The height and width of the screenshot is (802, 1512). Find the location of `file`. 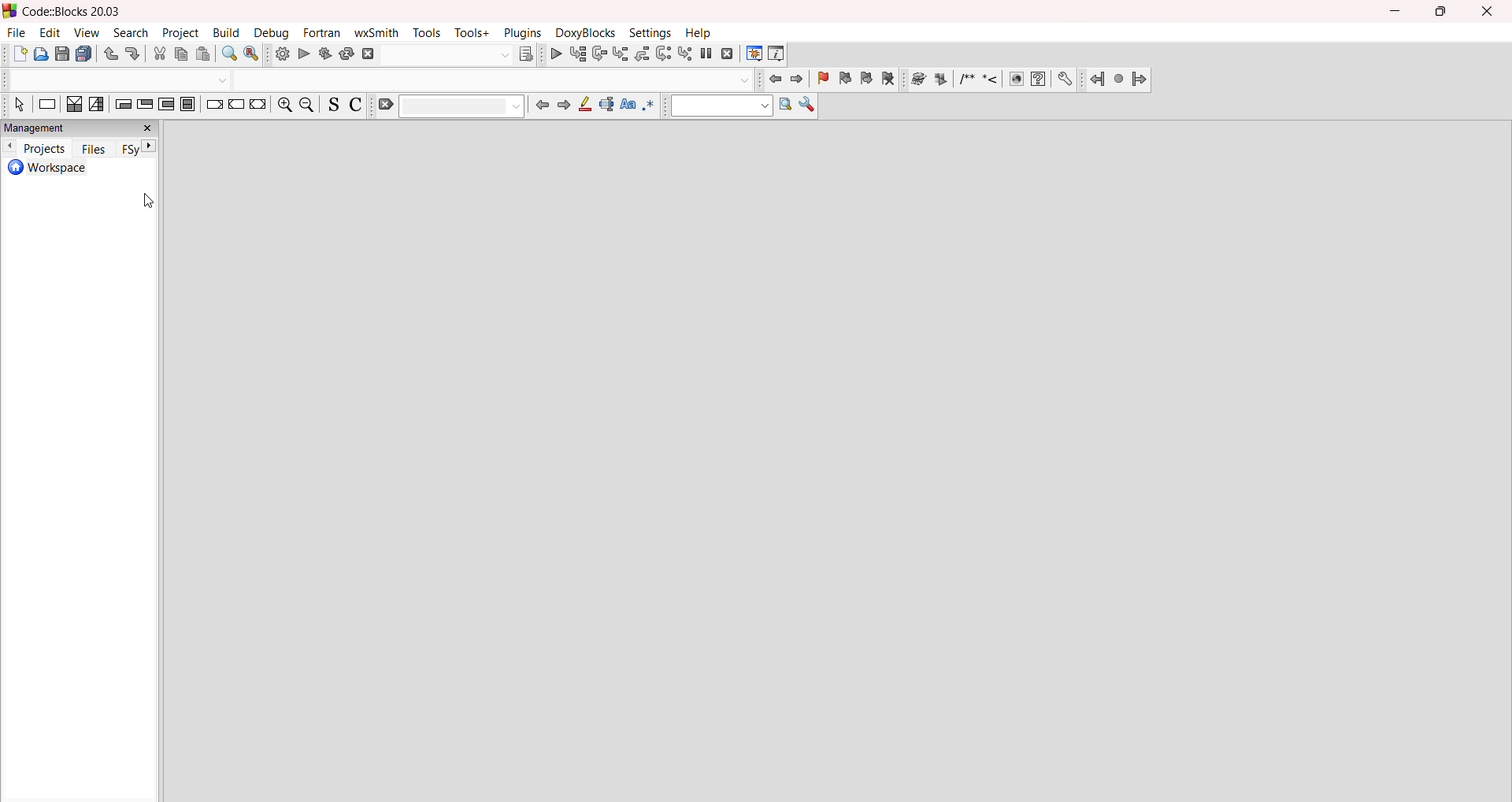

file is located at coordinates (16, 32).